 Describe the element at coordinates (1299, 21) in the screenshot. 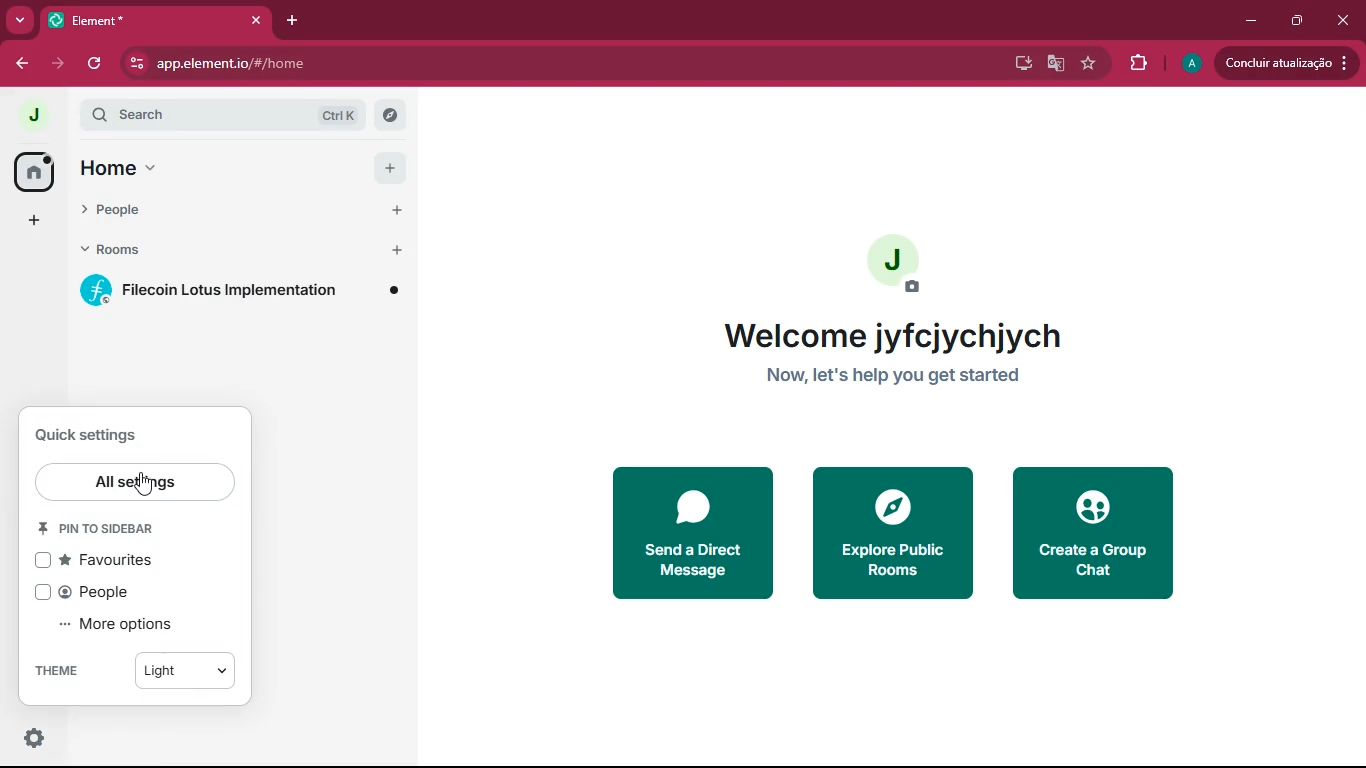

I see `maximize` at that location.